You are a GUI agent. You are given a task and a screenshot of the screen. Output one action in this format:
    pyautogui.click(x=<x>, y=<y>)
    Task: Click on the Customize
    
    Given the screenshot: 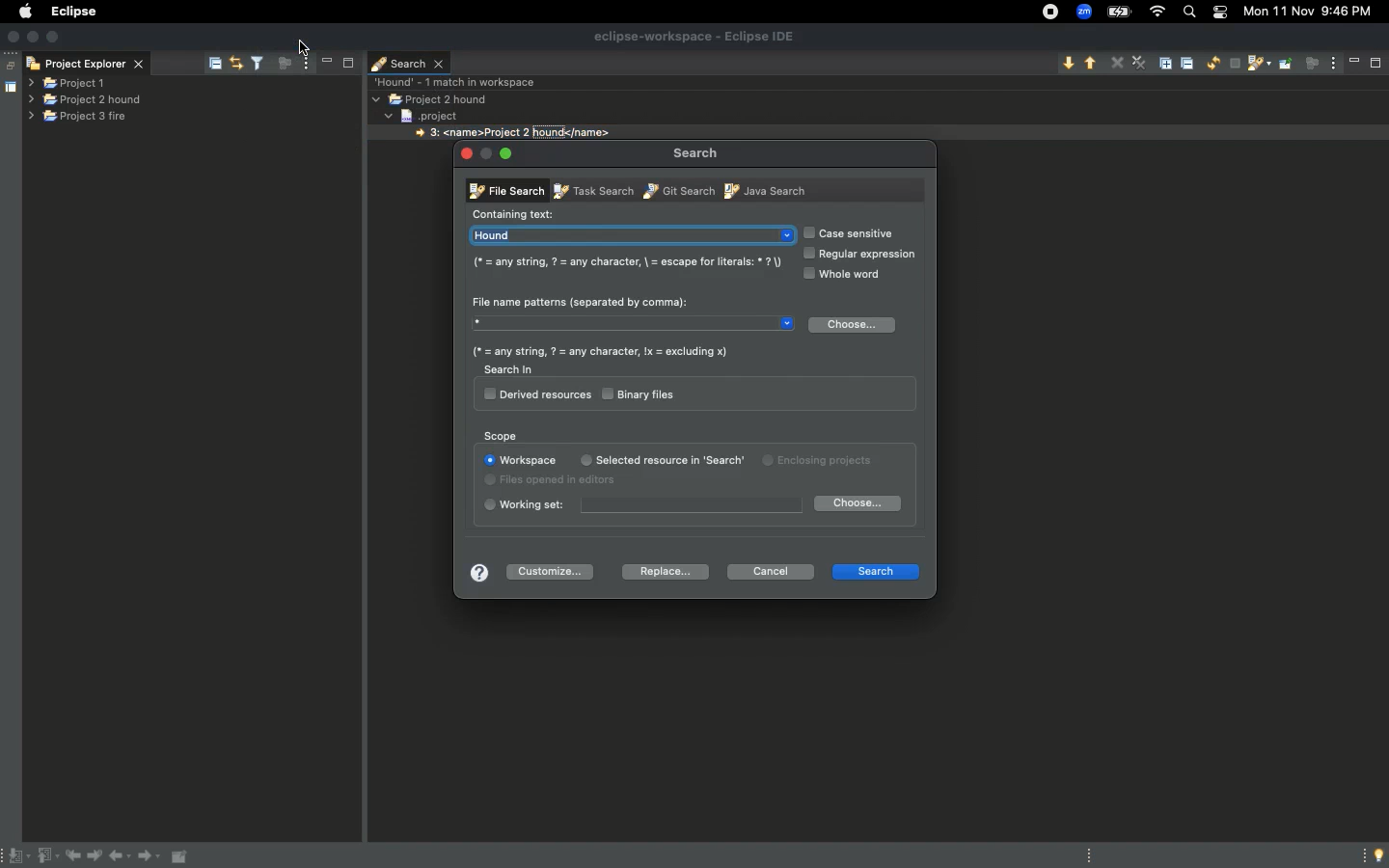 What is the action you would take?
    pyautogui.click(x=555, y=570)
    